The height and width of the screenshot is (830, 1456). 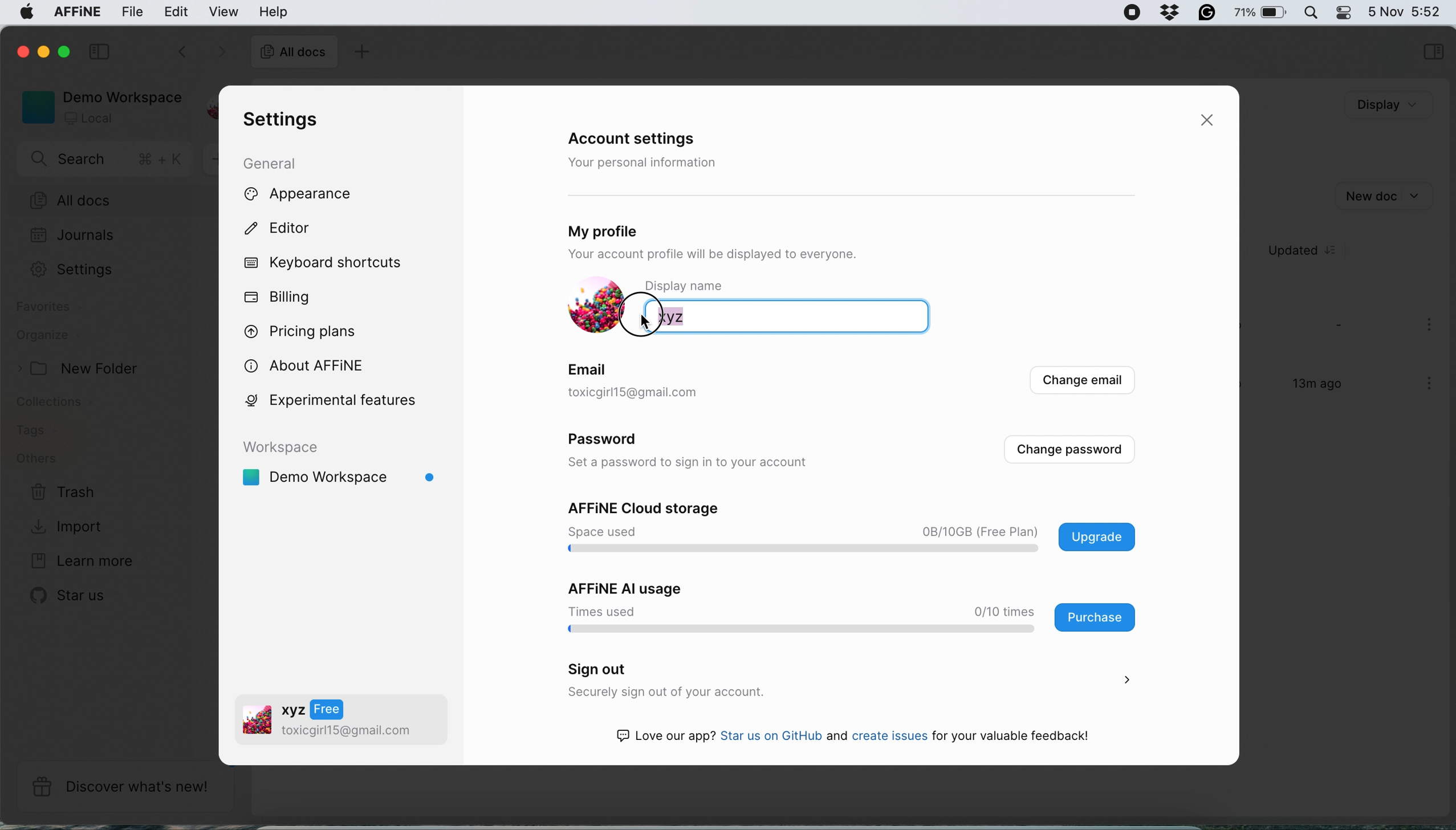 What do you see at coordinates (856, 529) in the screenshot?
I see `affine cloud storage` at bounding box center [856, 529].